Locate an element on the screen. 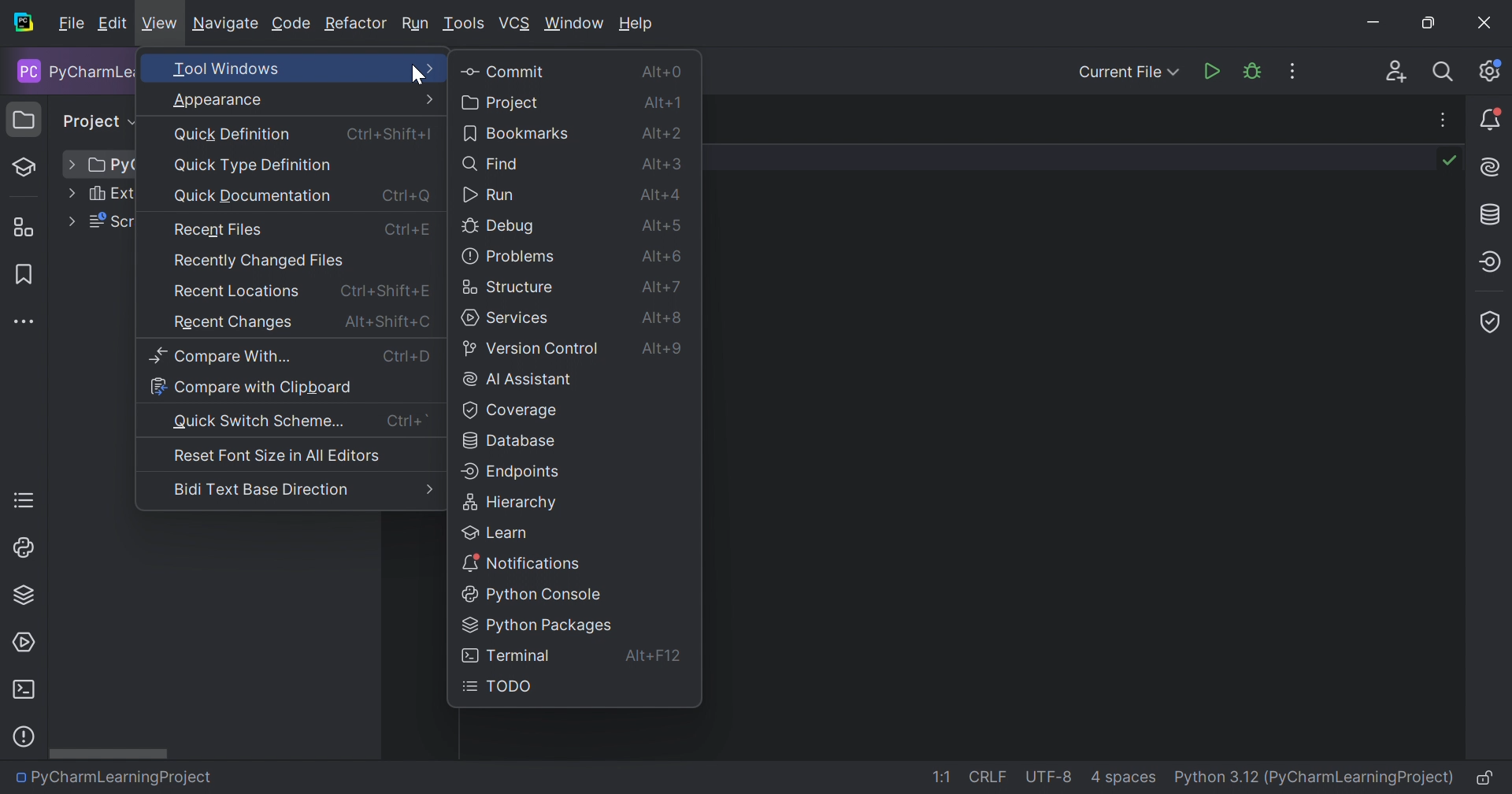  Alt+2 is located at coordinates (661, 132).